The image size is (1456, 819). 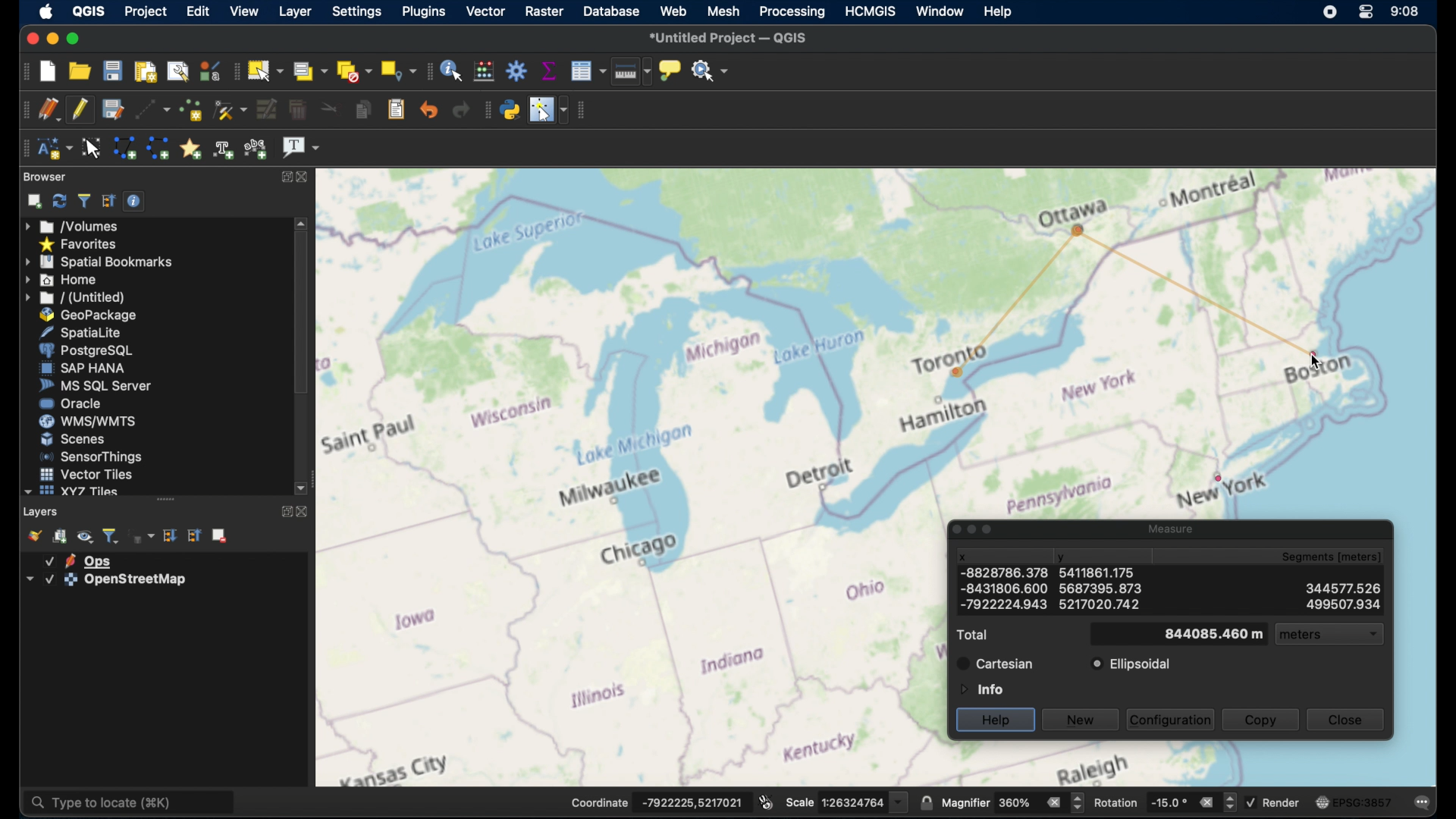 What do you see at coordinates (83, 369) in the screenshot?
I see `sap hana` at bounding box center [83, 369].